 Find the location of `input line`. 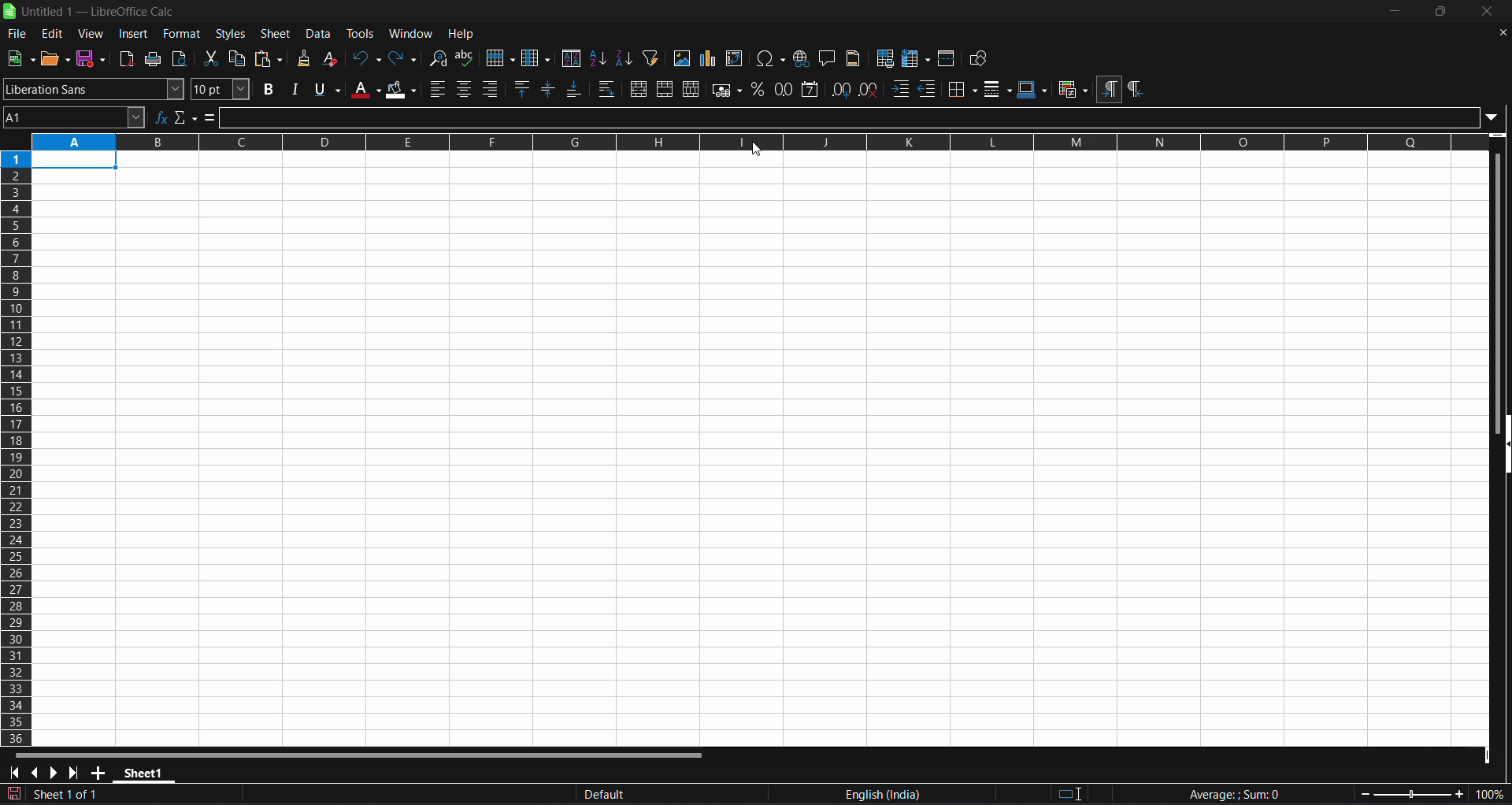

input line is located at coordinates (869, 115).